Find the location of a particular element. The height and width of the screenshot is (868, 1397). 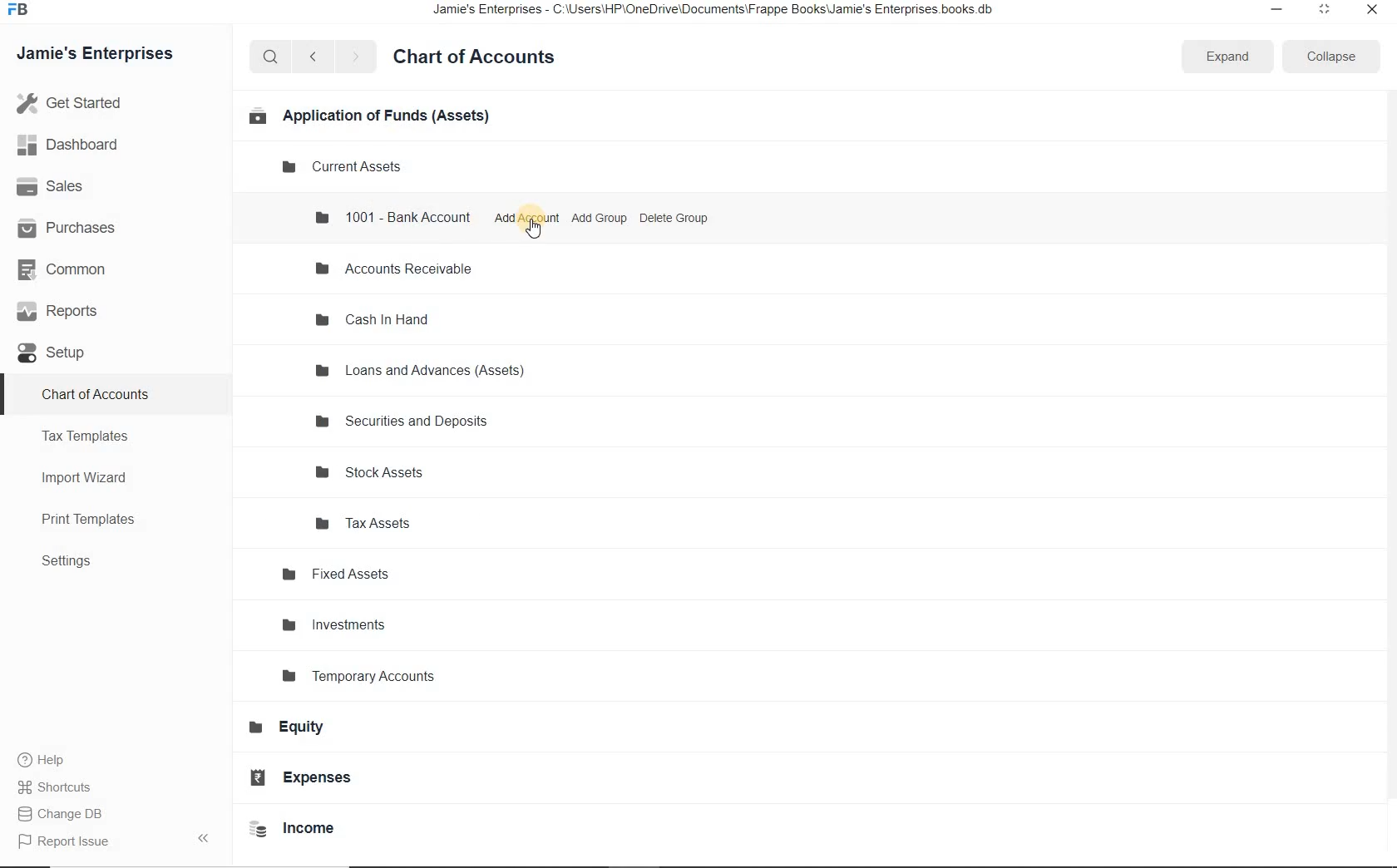

Chart of Accounts is located at coordinates (481, 57).